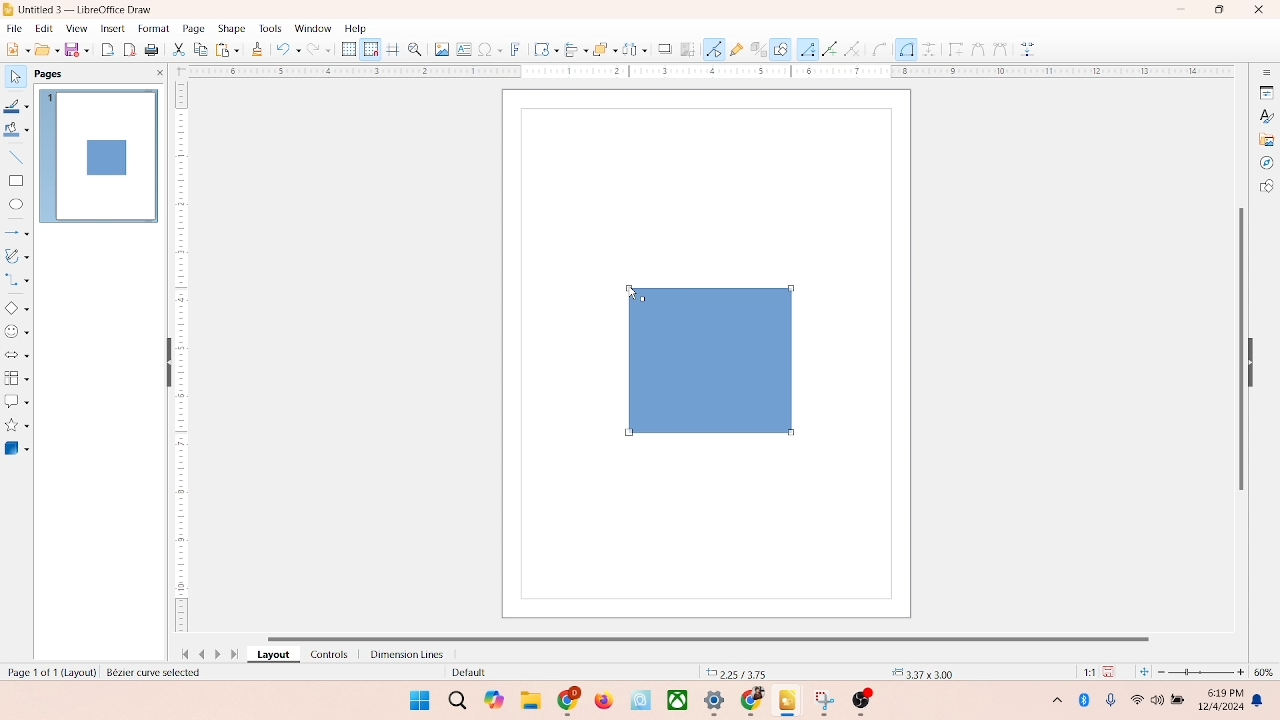 The width and height of the screenshot is (1280, 720). I want to click on Glue points too, so click(1029, 50).